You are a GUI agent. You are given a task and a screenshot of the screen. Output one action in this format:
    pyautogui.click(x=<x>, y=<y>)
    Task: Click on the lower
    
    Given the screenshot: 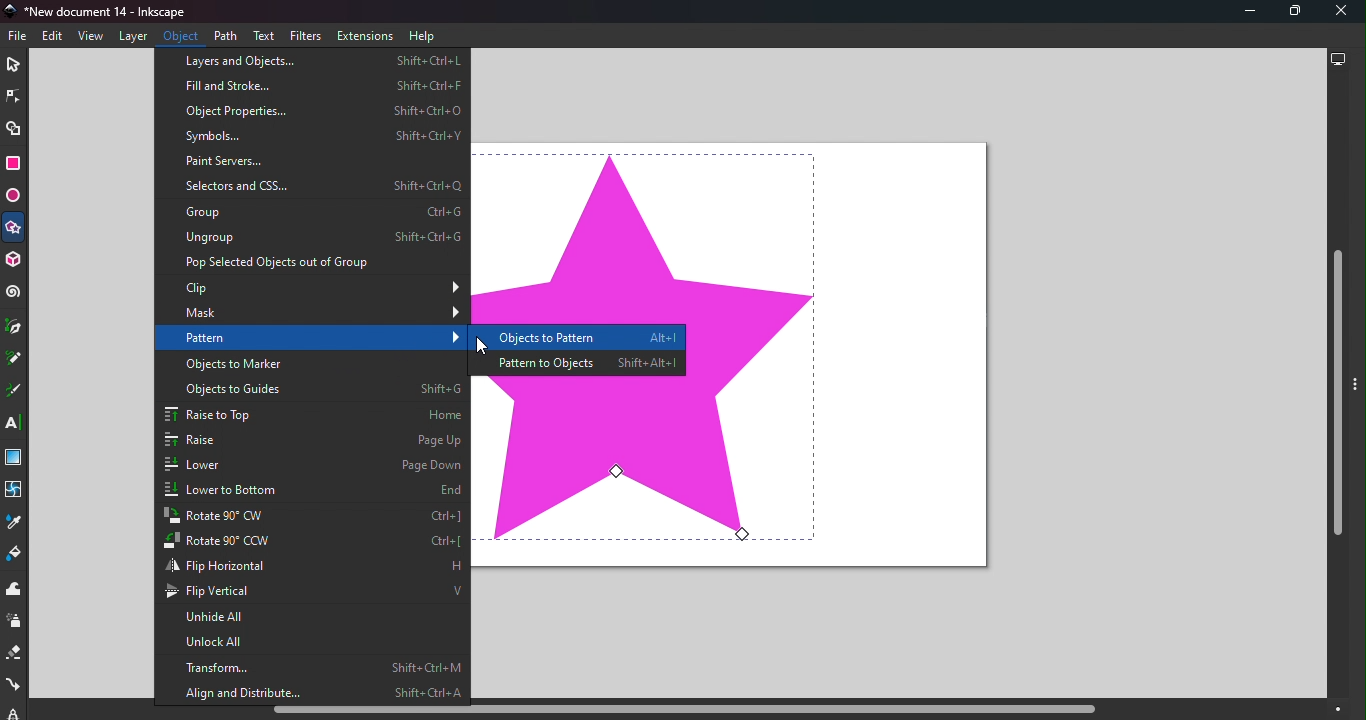 What is the action you would take?
    pyautogui.click(x=315, y=465)
    